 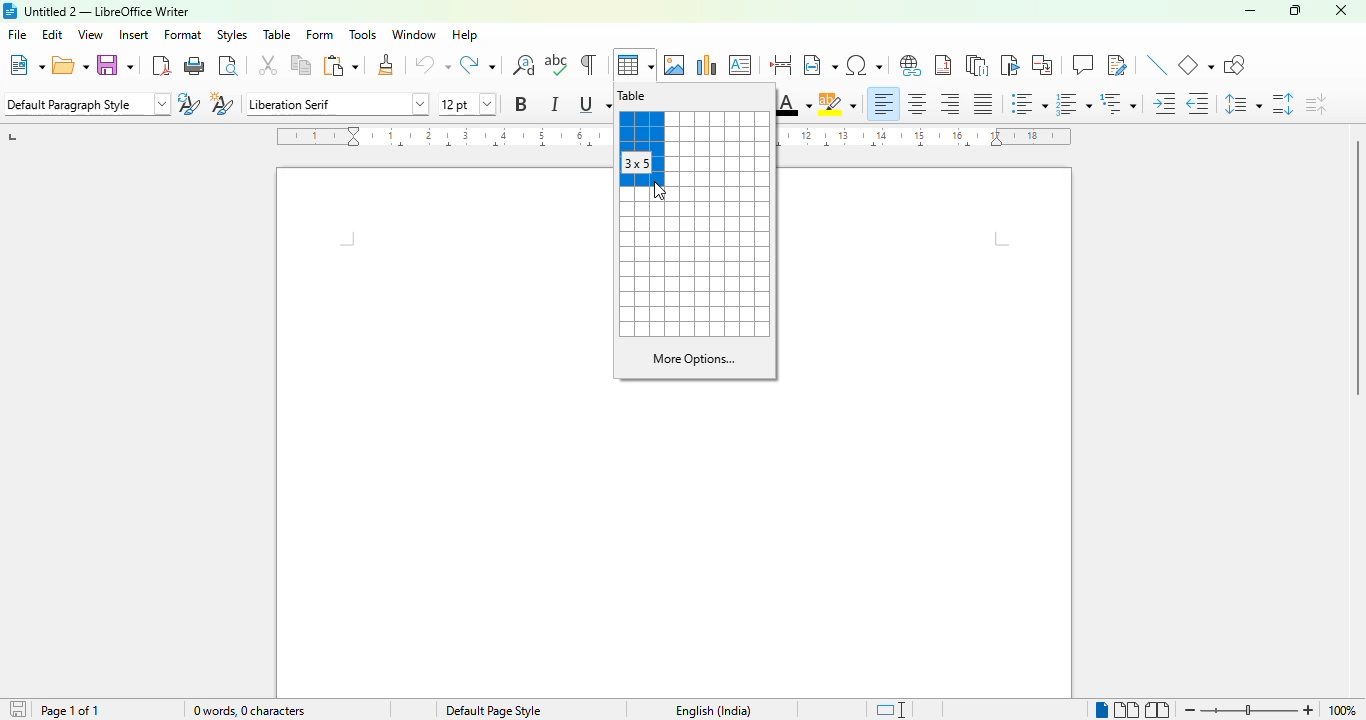 I want to click on insert special characters, so click(x=863, y=65).